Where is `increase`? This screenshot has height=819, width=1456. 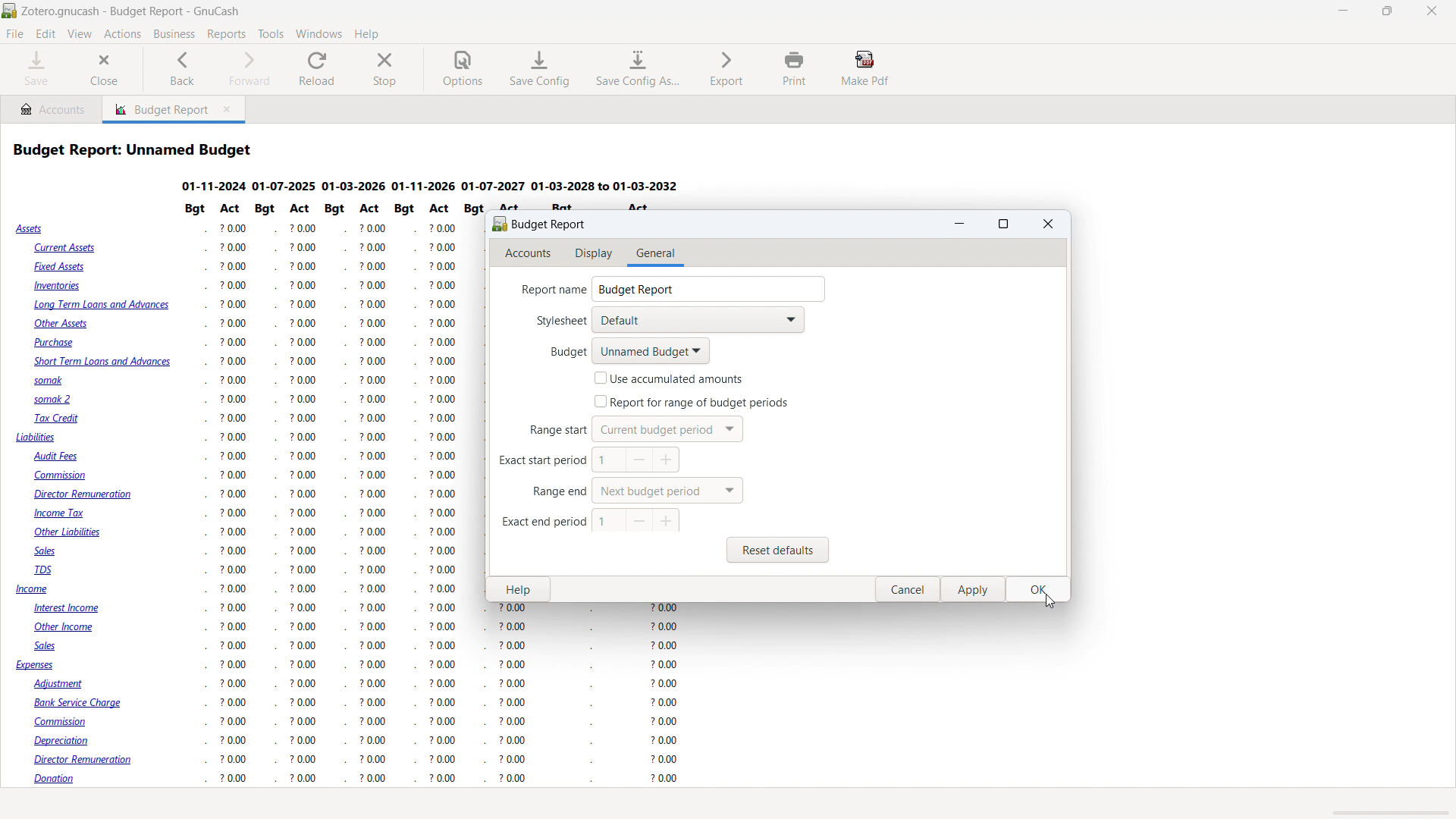 increase is located at coordinates (667, 460).